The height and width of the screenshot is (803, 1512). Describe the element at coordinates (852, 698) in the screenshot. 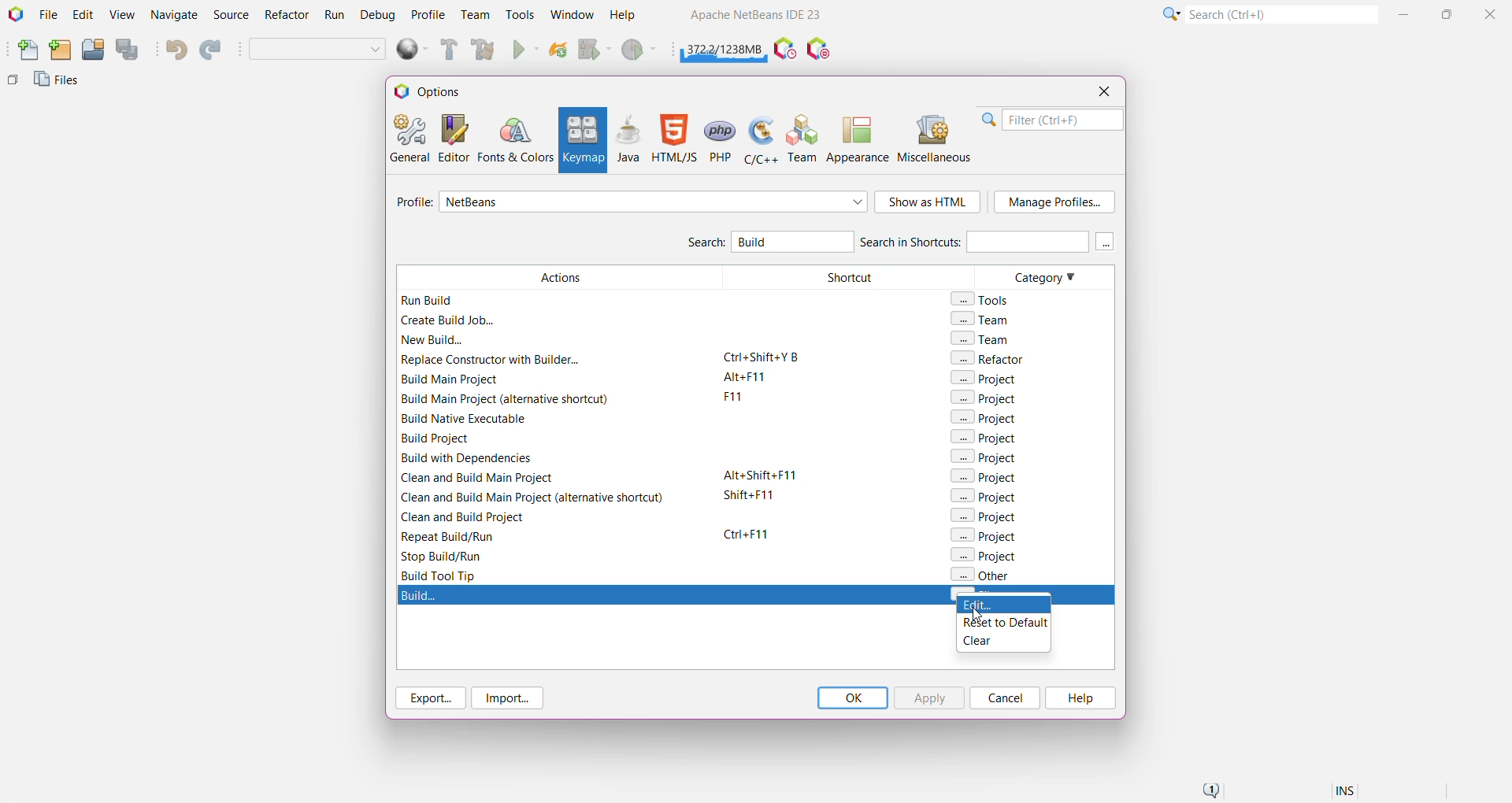

I see `OK` at that location.